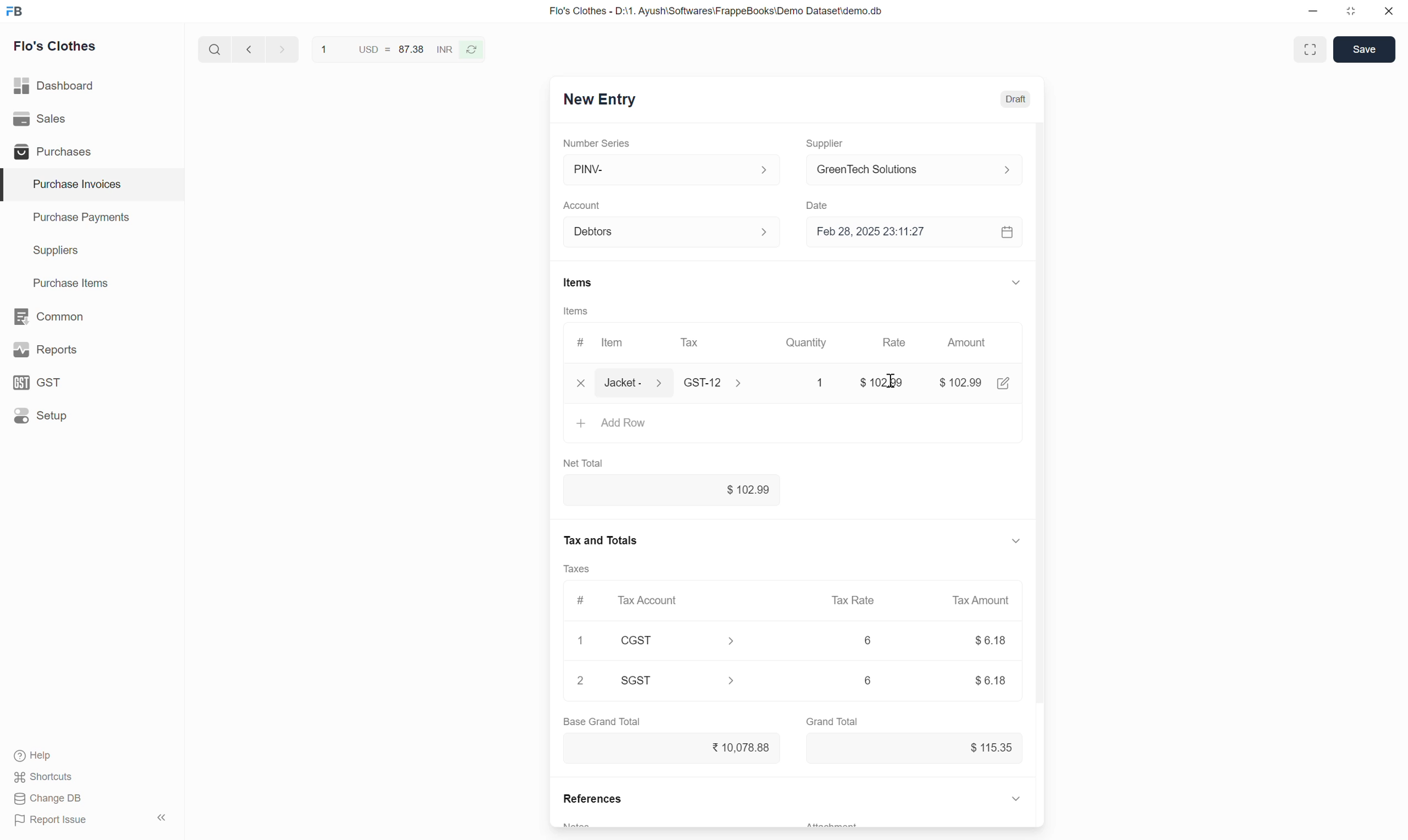 The height and width of the screenshot is (840, 1408). I want to click on Supplier, so click(829, 144).